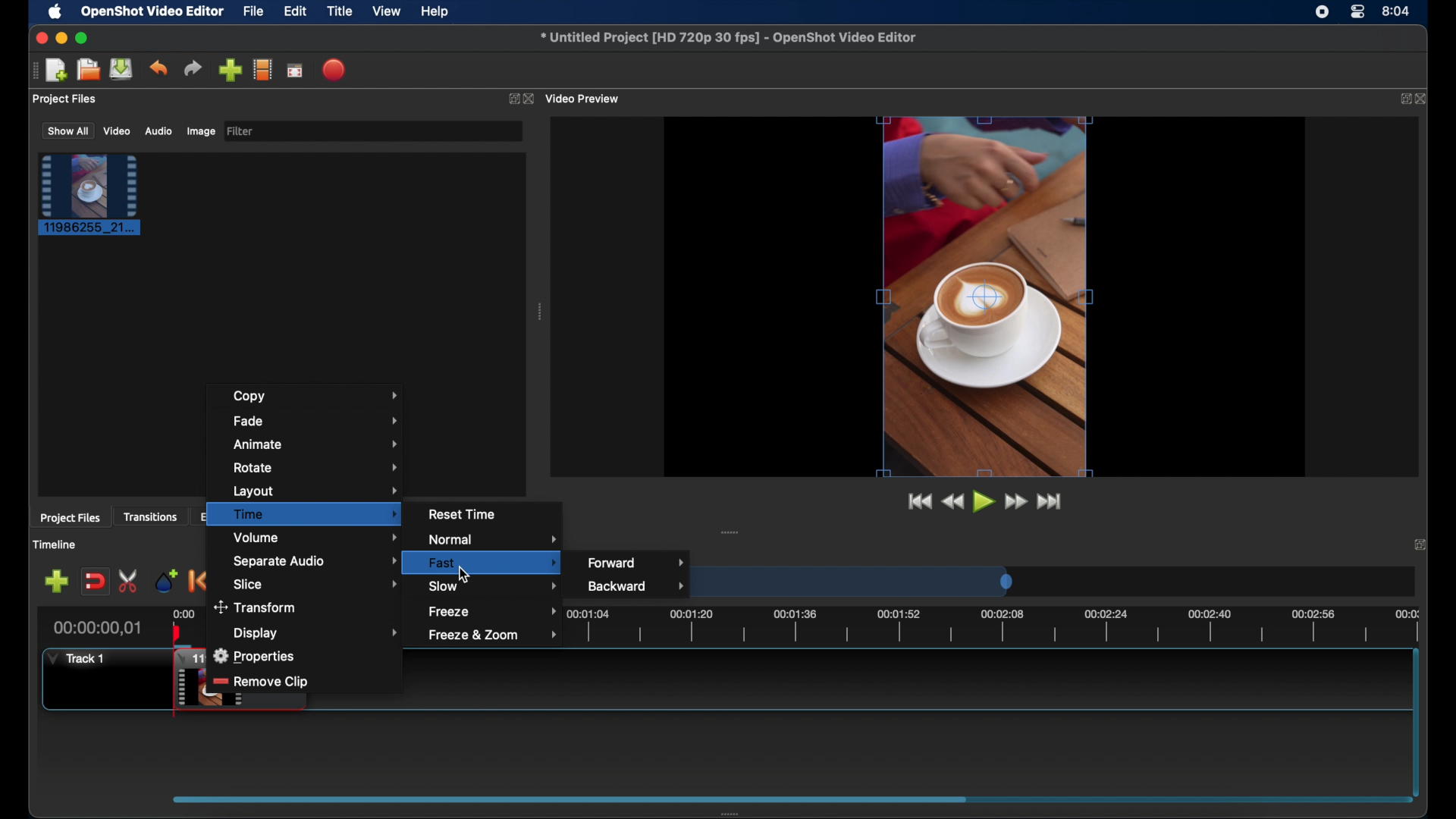 The height and width of the screenshot is (819, 1456). Describe the element at coordinates (262, 71) in the screenshot. I see `explore profiles` at that location.